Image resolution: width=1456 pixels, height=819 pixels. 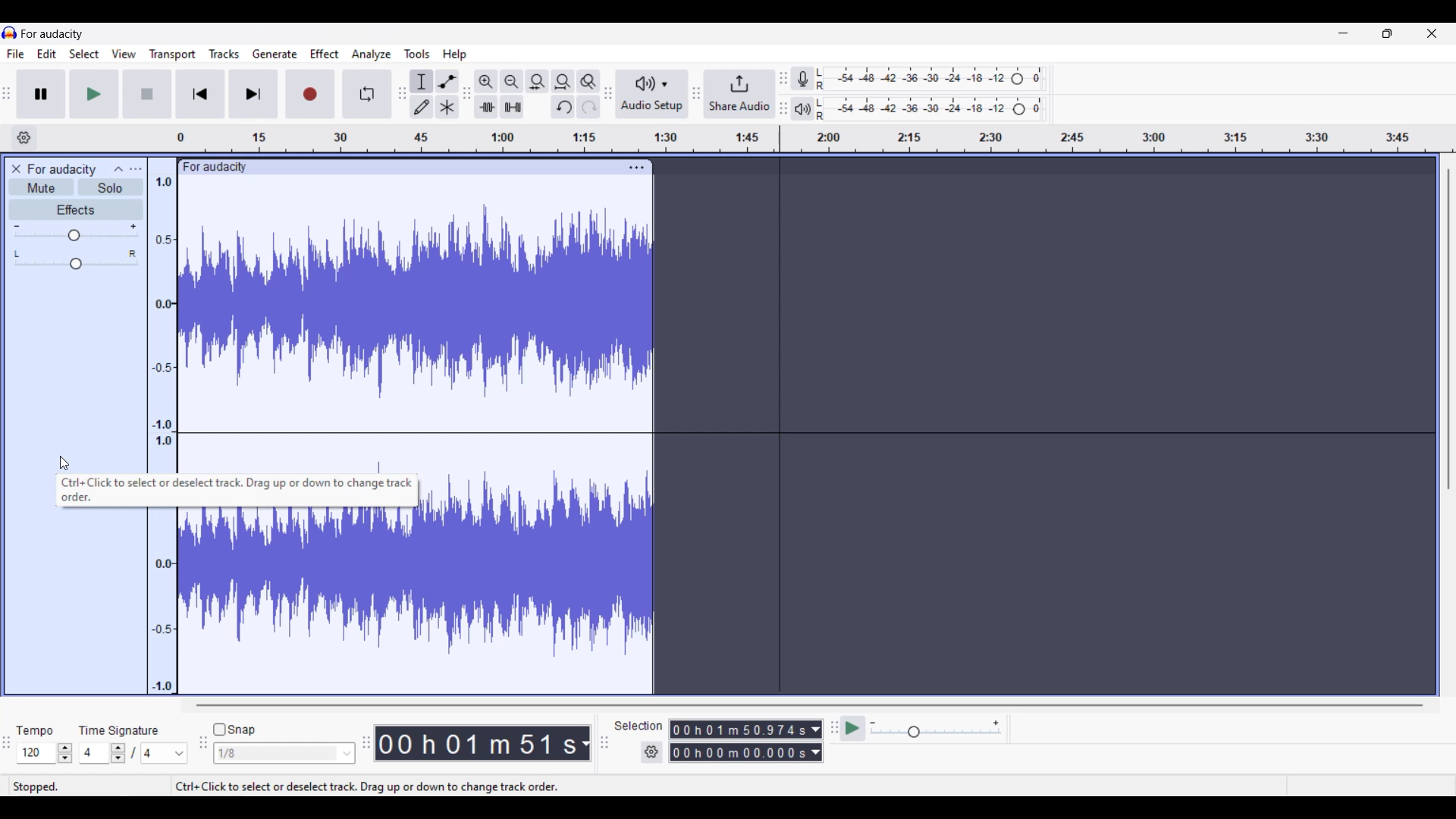 What do you see at coordinates (235, 730) in the screenshot?
I see `Snap toggle` at bounding box center [235, 730].